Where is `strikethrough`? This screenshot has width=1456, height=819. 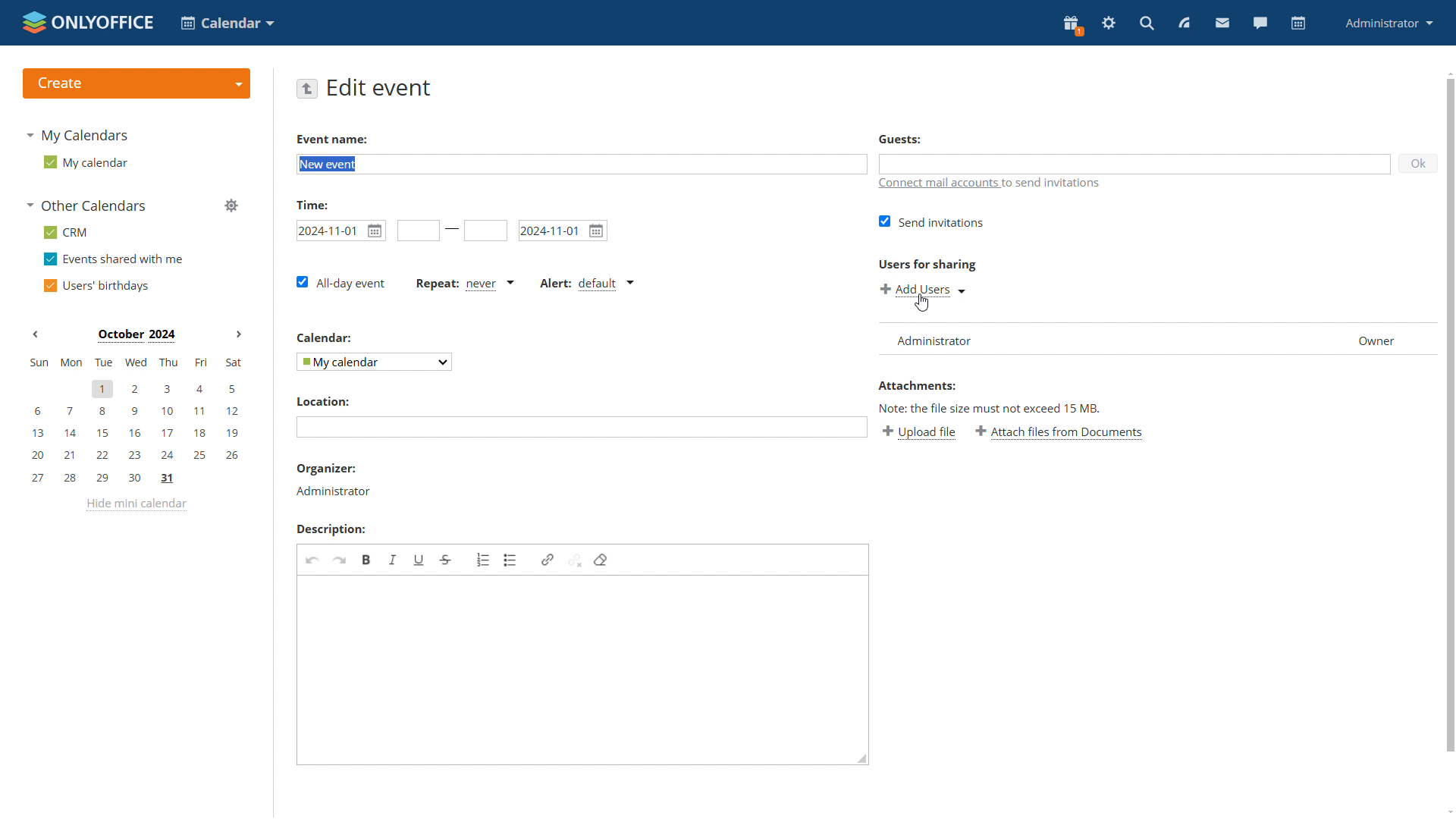
strikethrough is located at coordinates (445, 560).